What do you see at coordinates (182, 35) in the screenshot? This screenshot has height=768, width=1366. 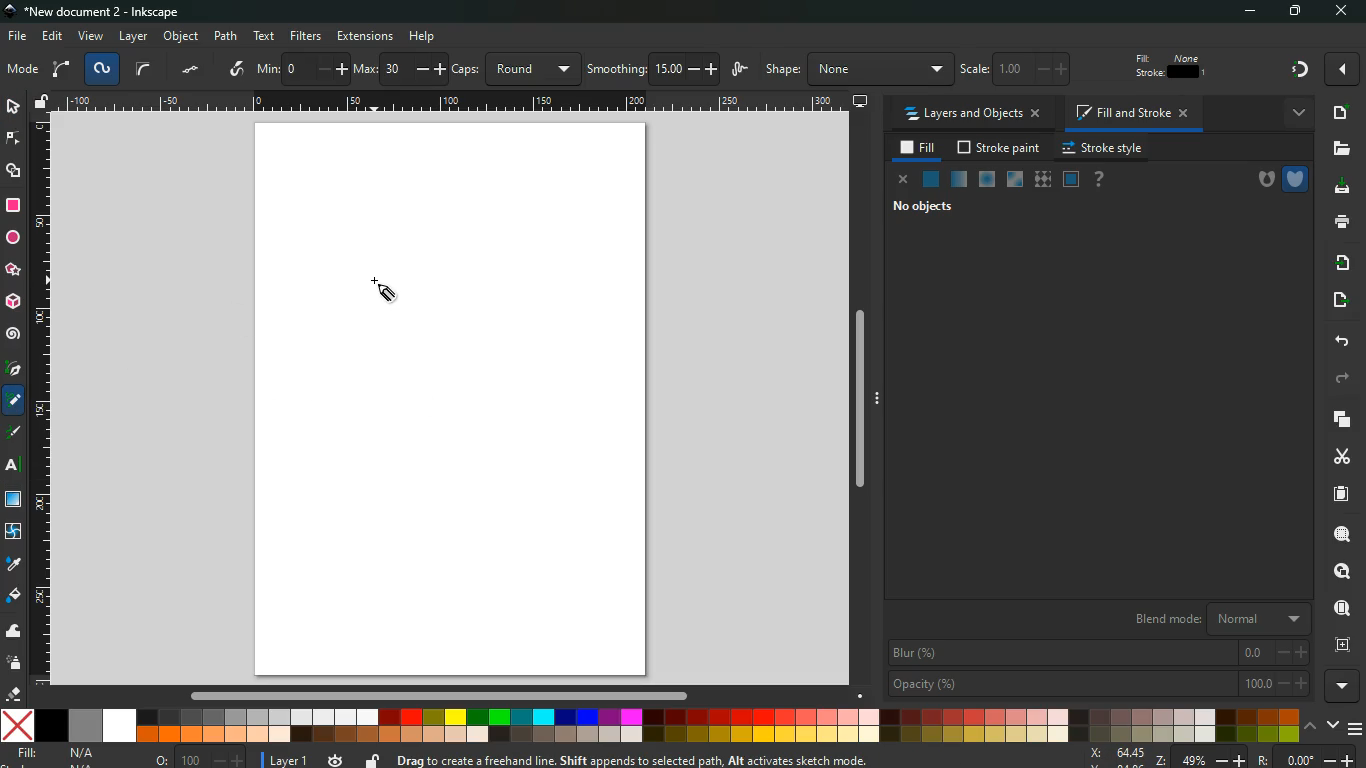 I see `object` at bounding box center [182, 35].